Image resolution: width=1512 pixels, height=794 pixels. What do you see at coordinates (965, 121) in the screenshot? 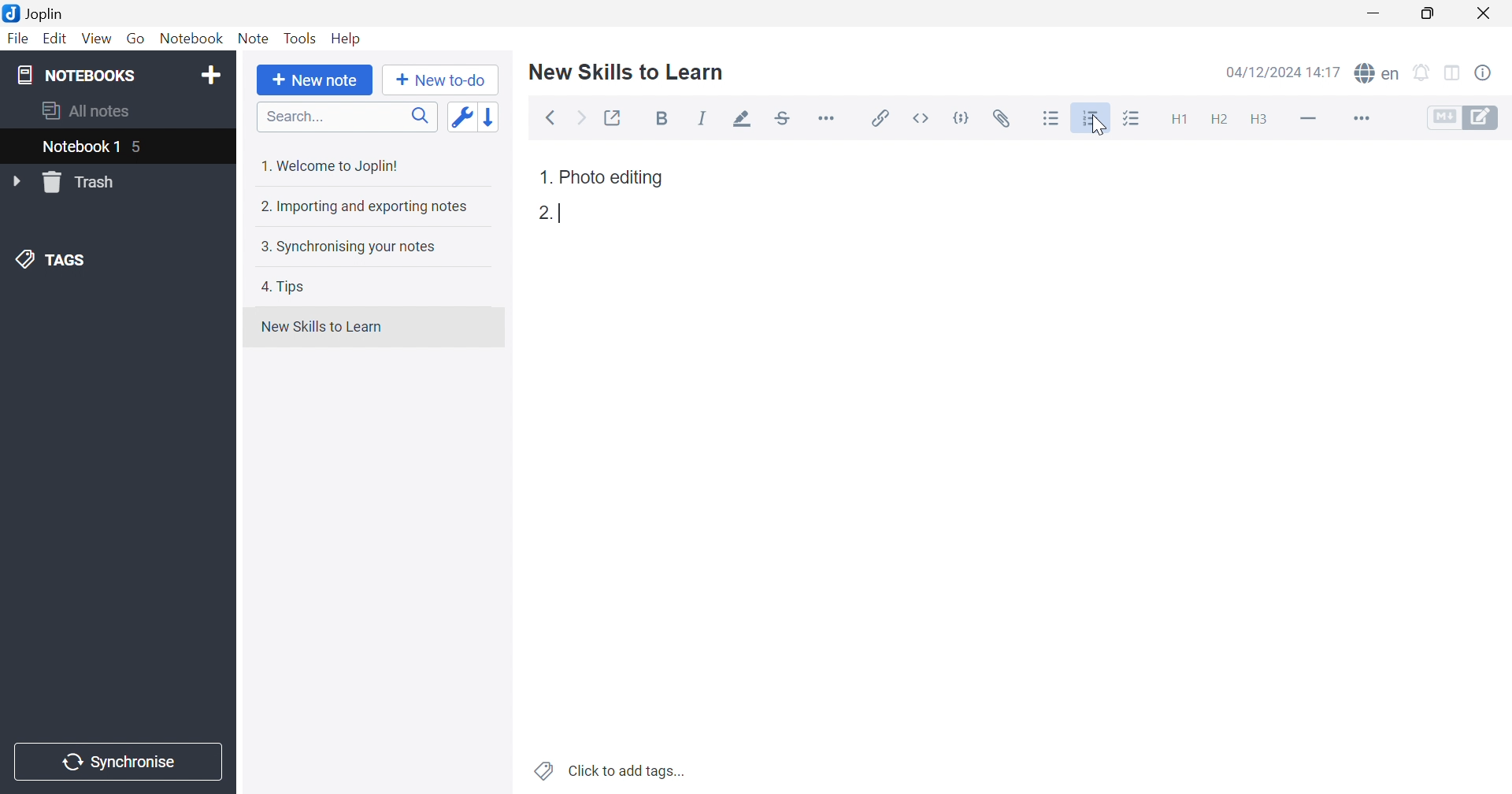
I see `Code Block` at bounding box center [965, 121].